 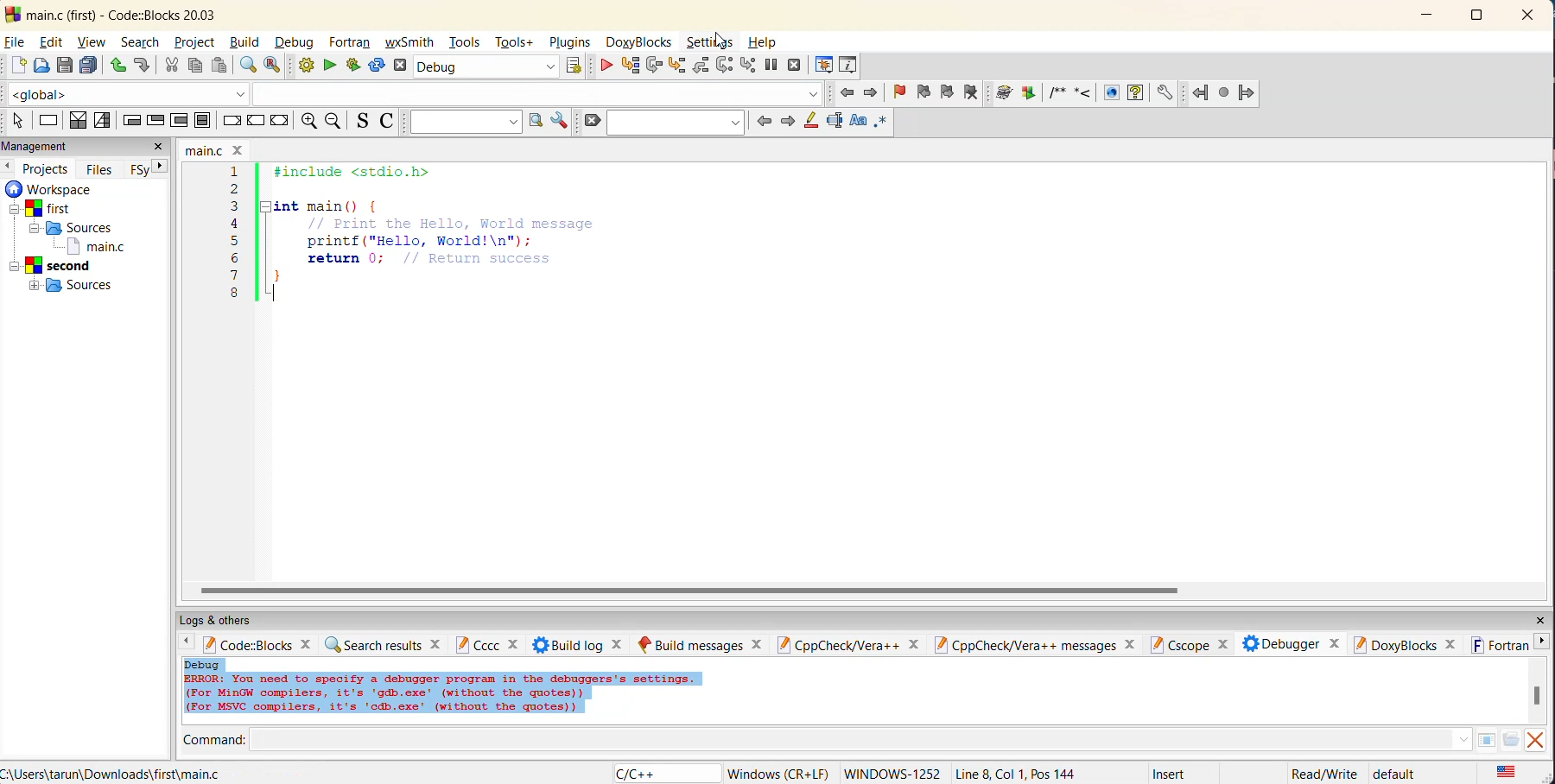 I want to click on Doxyblock preferences, so click(x=1166, y=92).